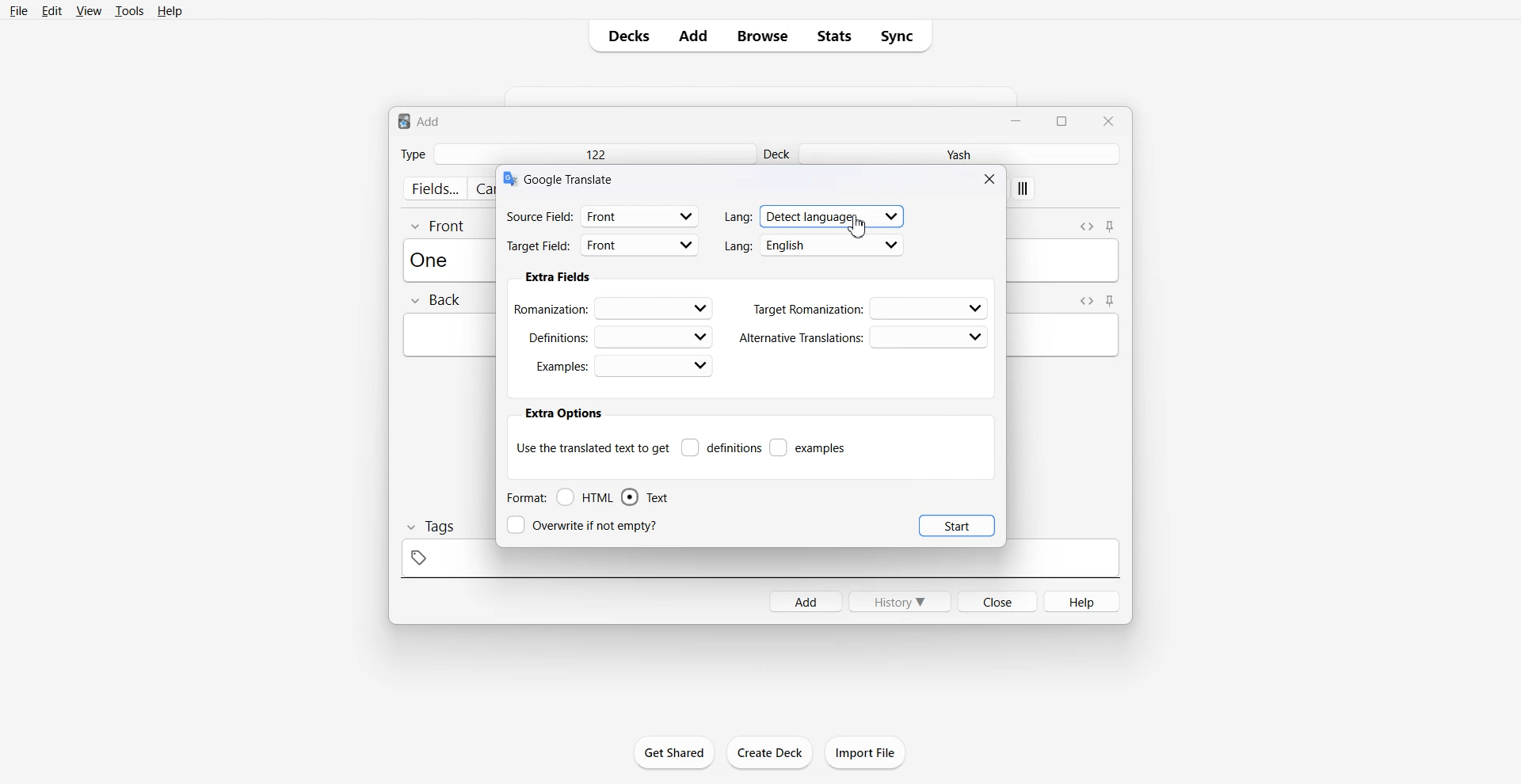  I want to click on 122, so click(594, 154).